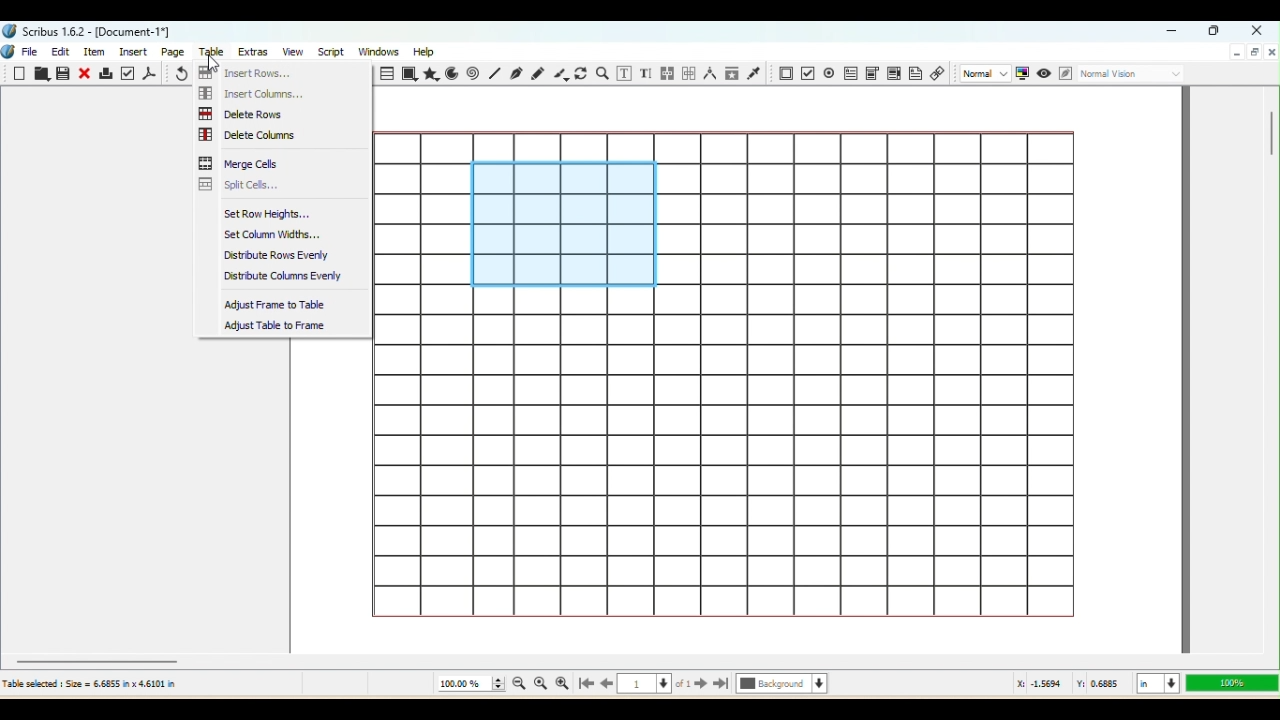  What do you see at coordinates (639, 660) in the screenshot?
I see `Horizontal scroll bar` at bounding box center [639, 660].